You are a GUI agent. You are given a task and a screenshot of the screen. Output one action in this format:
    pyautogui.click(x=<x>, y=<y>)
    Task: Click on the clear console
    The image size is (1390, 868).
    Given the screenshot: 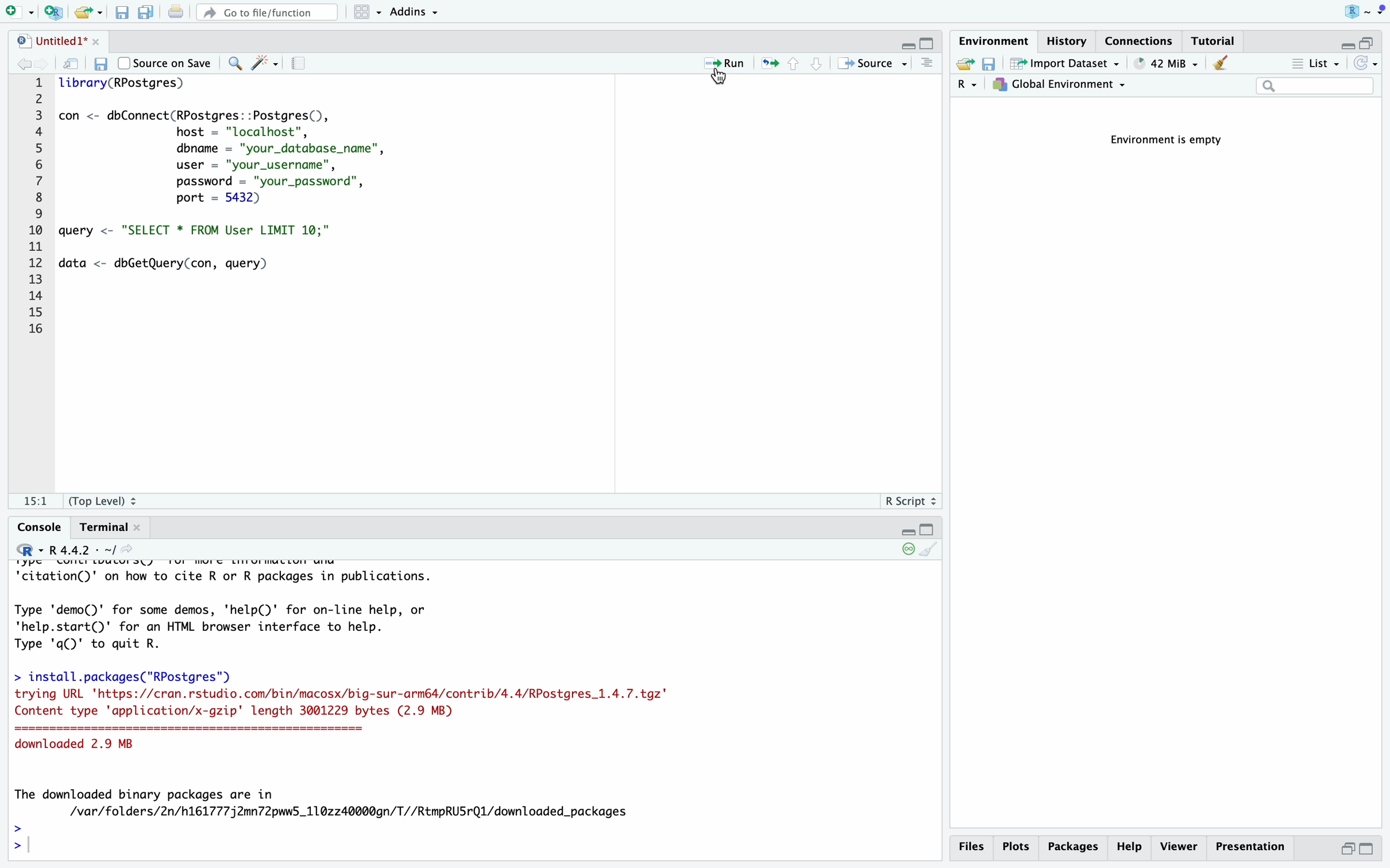 What is the action you would take?
    pyautogui.click(x=930, y=553)
    